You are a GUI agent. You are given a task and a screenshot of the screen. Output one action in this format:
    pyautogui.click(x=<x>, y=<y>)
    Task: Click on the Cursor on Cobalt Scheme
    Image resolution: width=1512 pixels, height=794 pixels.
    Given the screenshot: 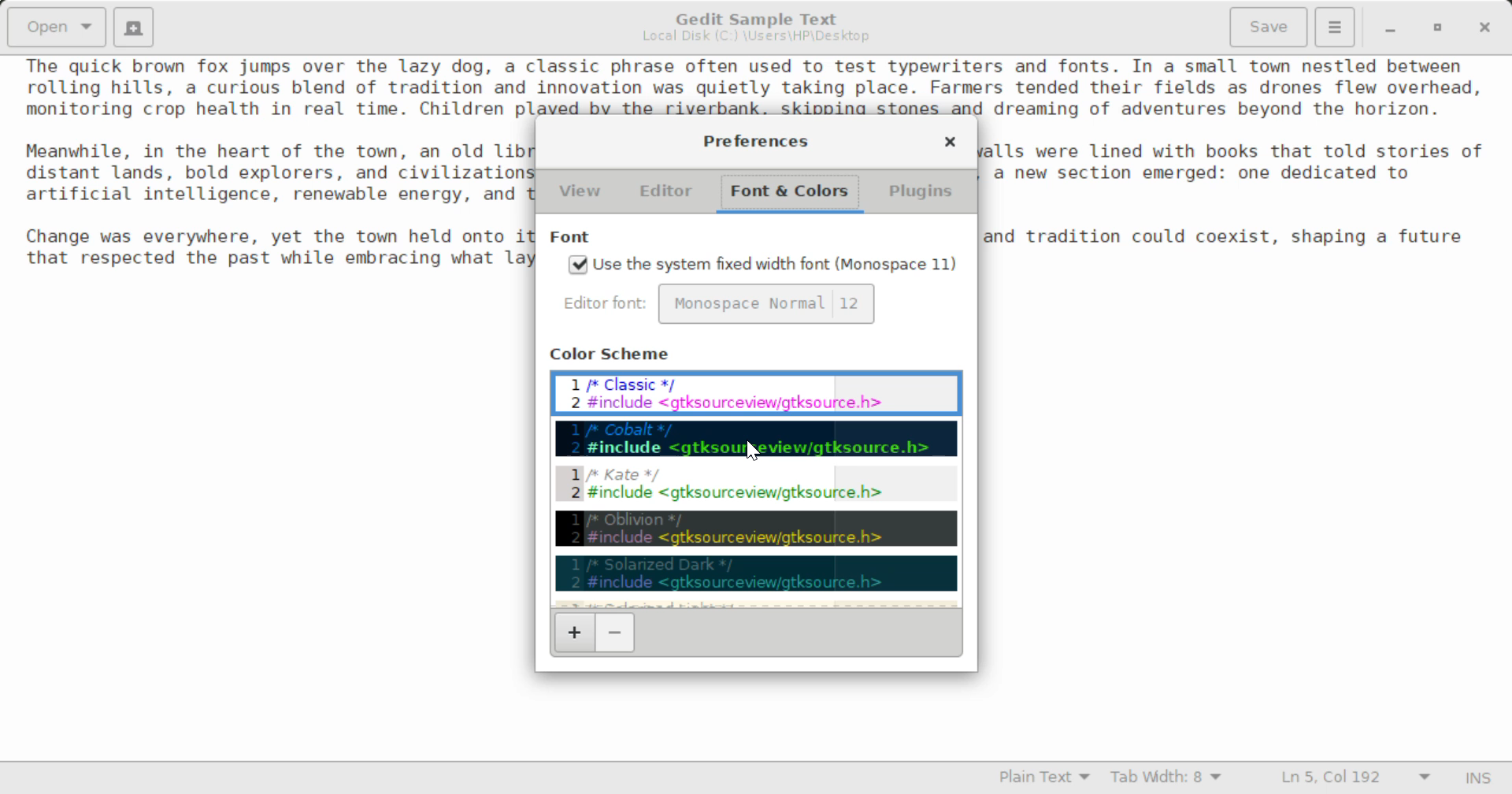 What is the action you would take?
    pyautogui.click(x=751, y=446)
    